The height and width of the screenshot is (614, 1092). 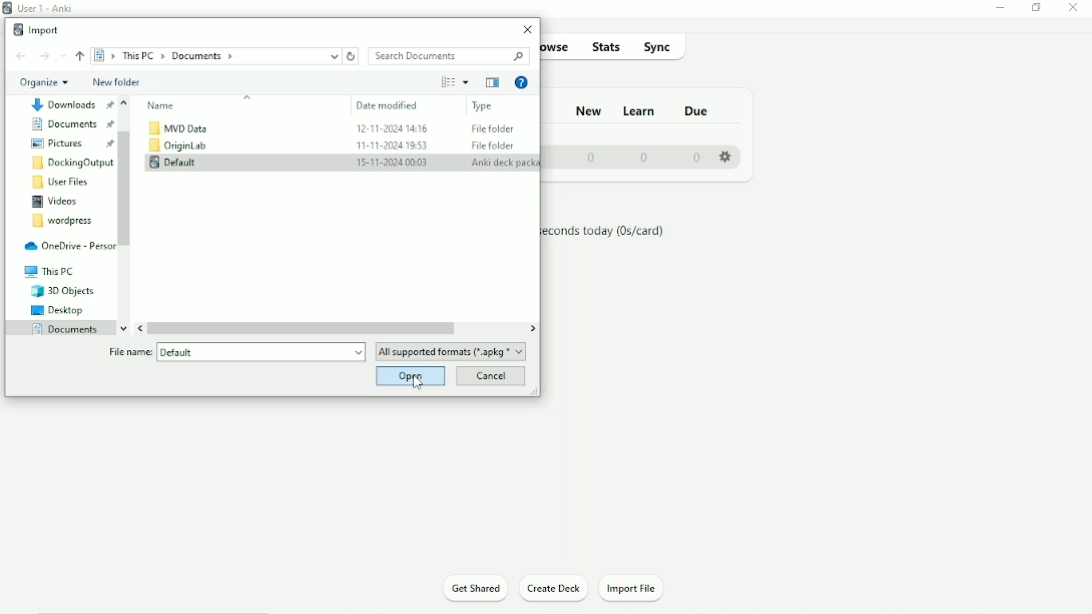 What do you see at coordinates (72, 143) in the screenshot?
I see `Pictures` at bounding box center [72, 143].